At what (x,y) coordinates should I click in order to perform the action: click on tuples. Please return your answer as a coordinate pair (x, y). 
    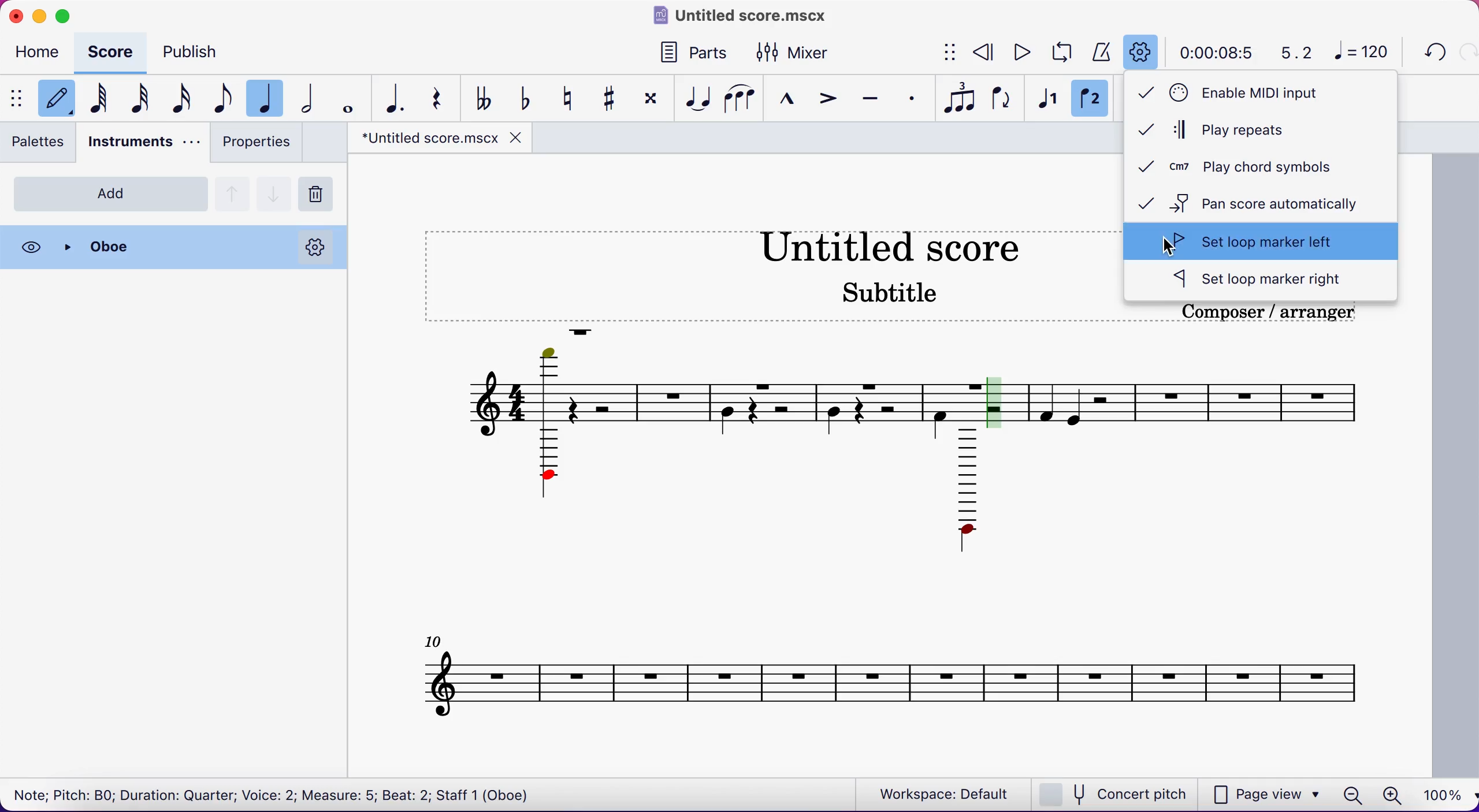
    Looking at the image, I should click on (963, 99).